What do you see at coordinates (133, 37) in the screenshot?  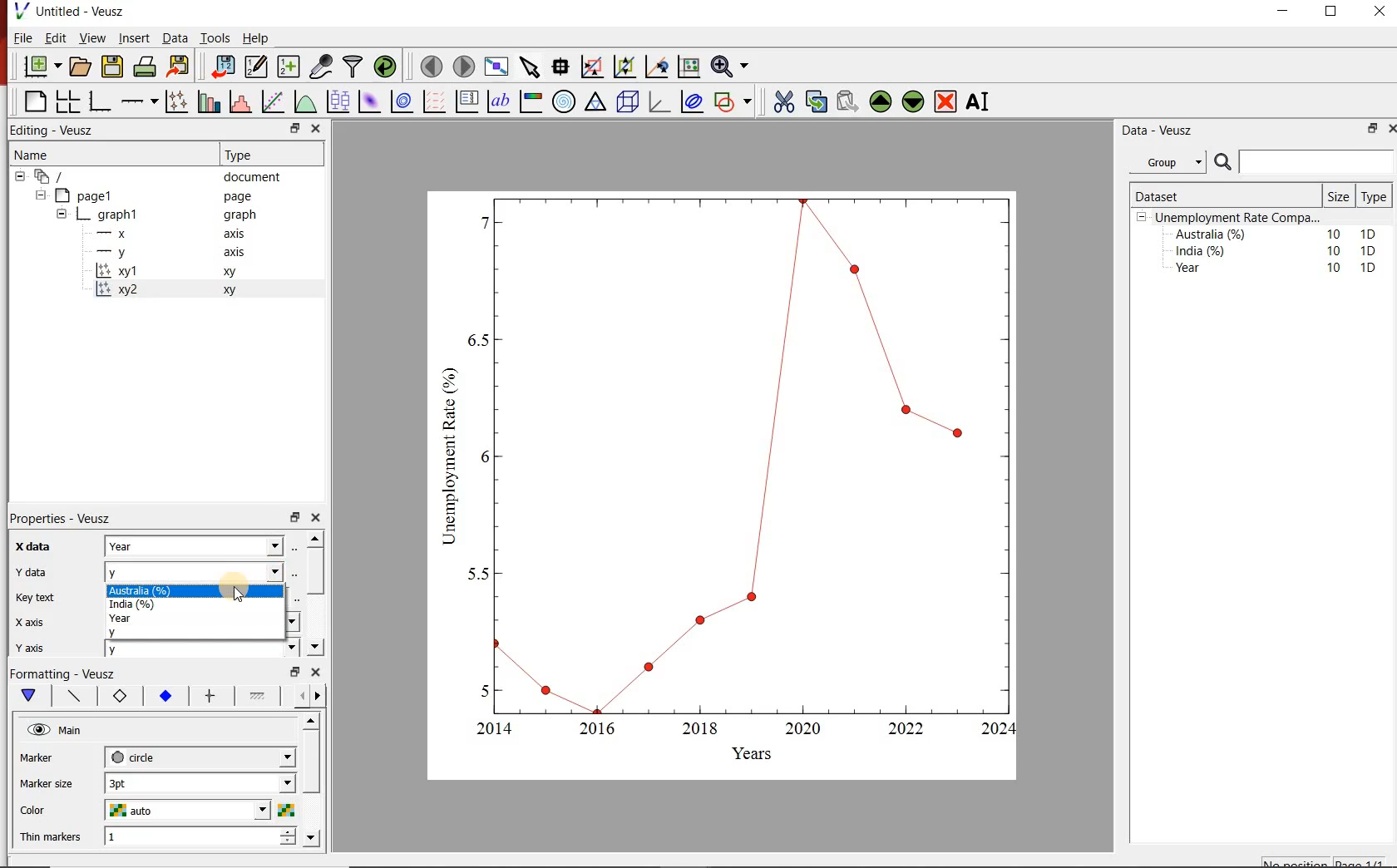 I see `Insert` at bounding box center [133, 37].